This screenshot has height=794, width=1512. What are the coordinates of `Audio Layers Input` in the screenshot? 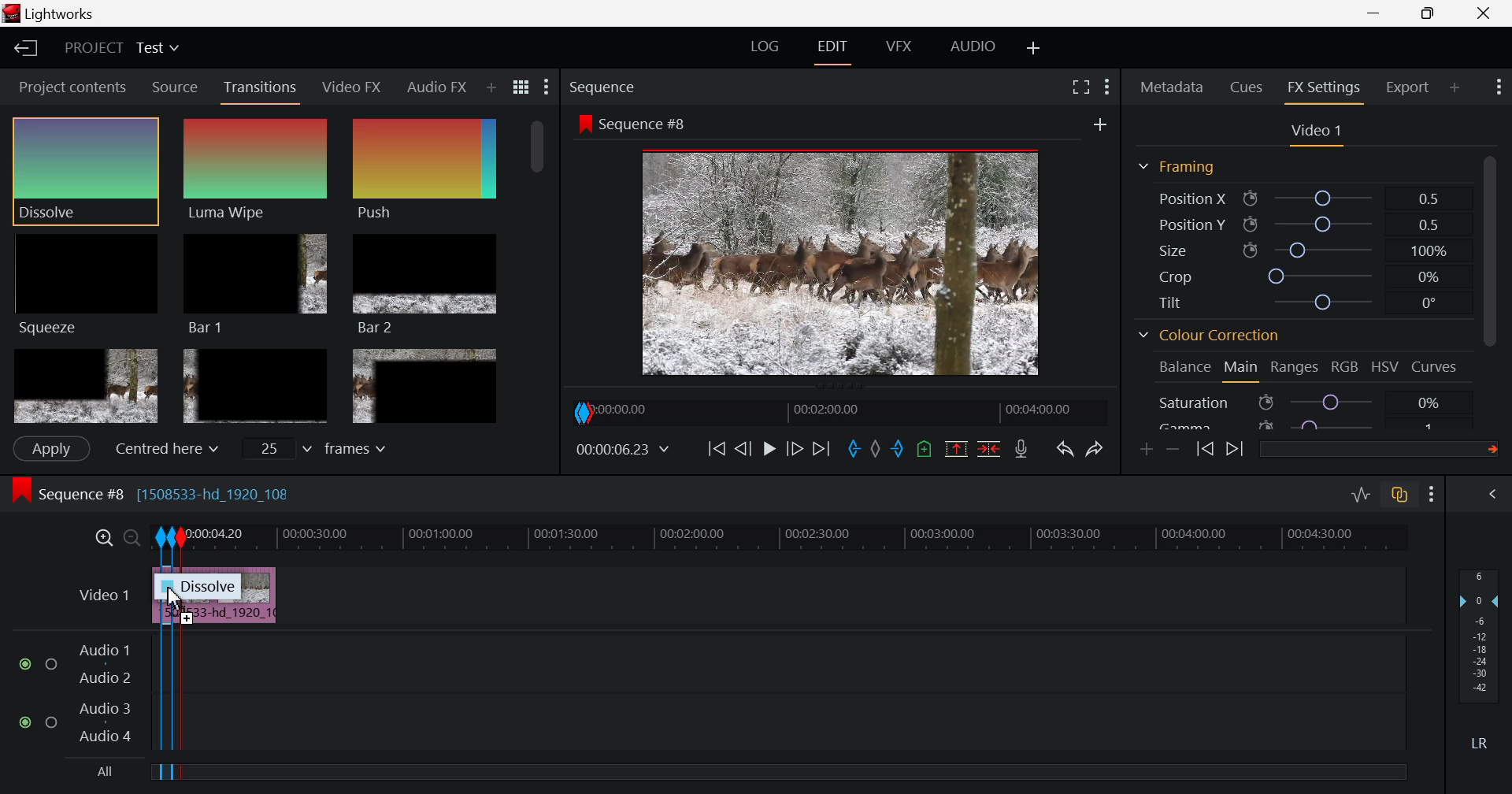 It's located at (86, 695).